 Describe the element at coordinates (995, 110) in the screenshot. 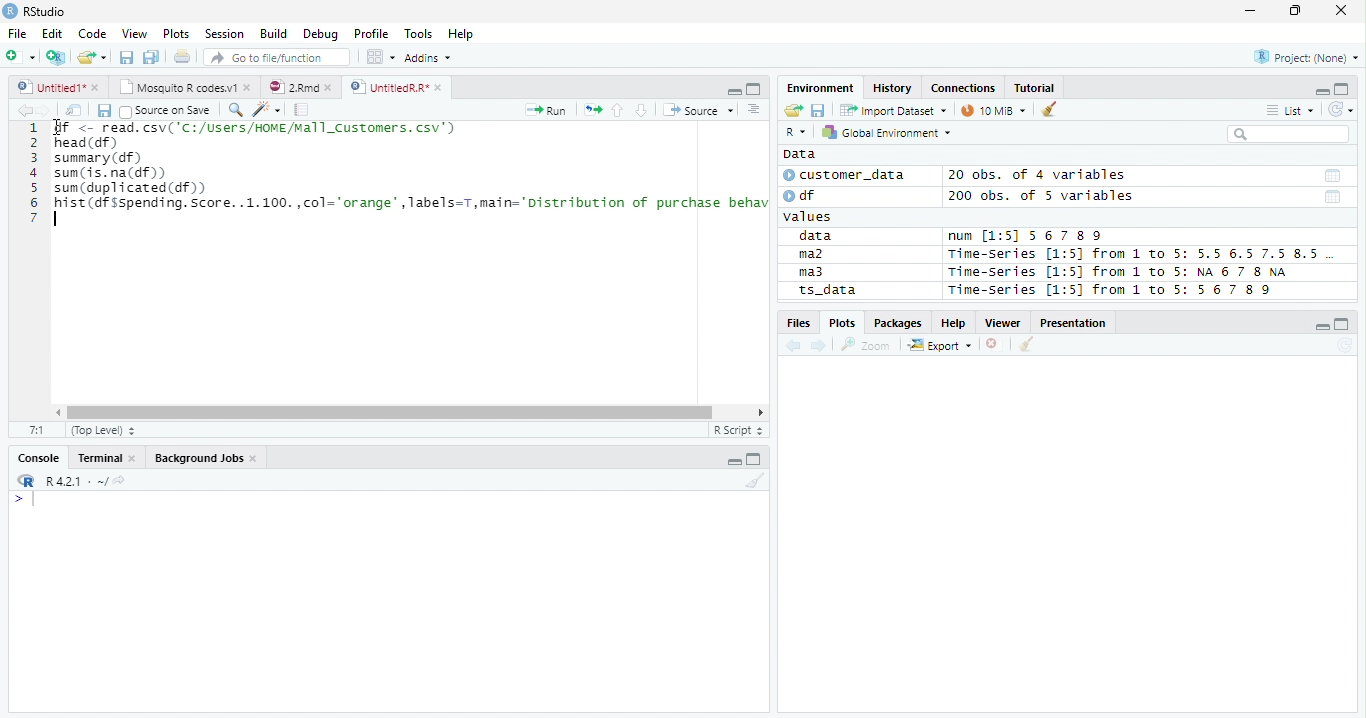

I see `10 MiB` at that location.